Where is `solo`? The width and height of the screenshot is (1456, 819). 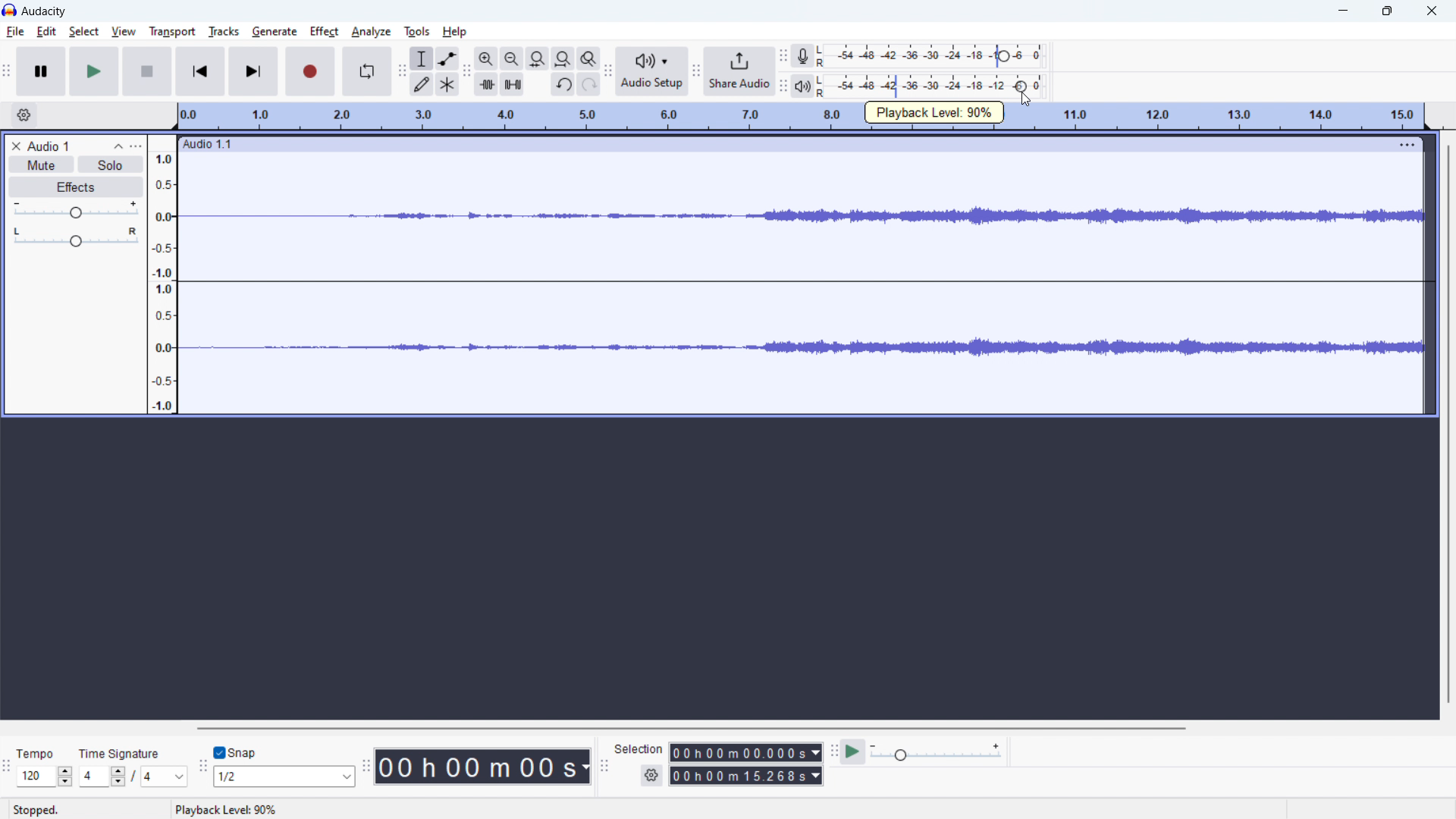 solo is located at coordinates (111, 165).